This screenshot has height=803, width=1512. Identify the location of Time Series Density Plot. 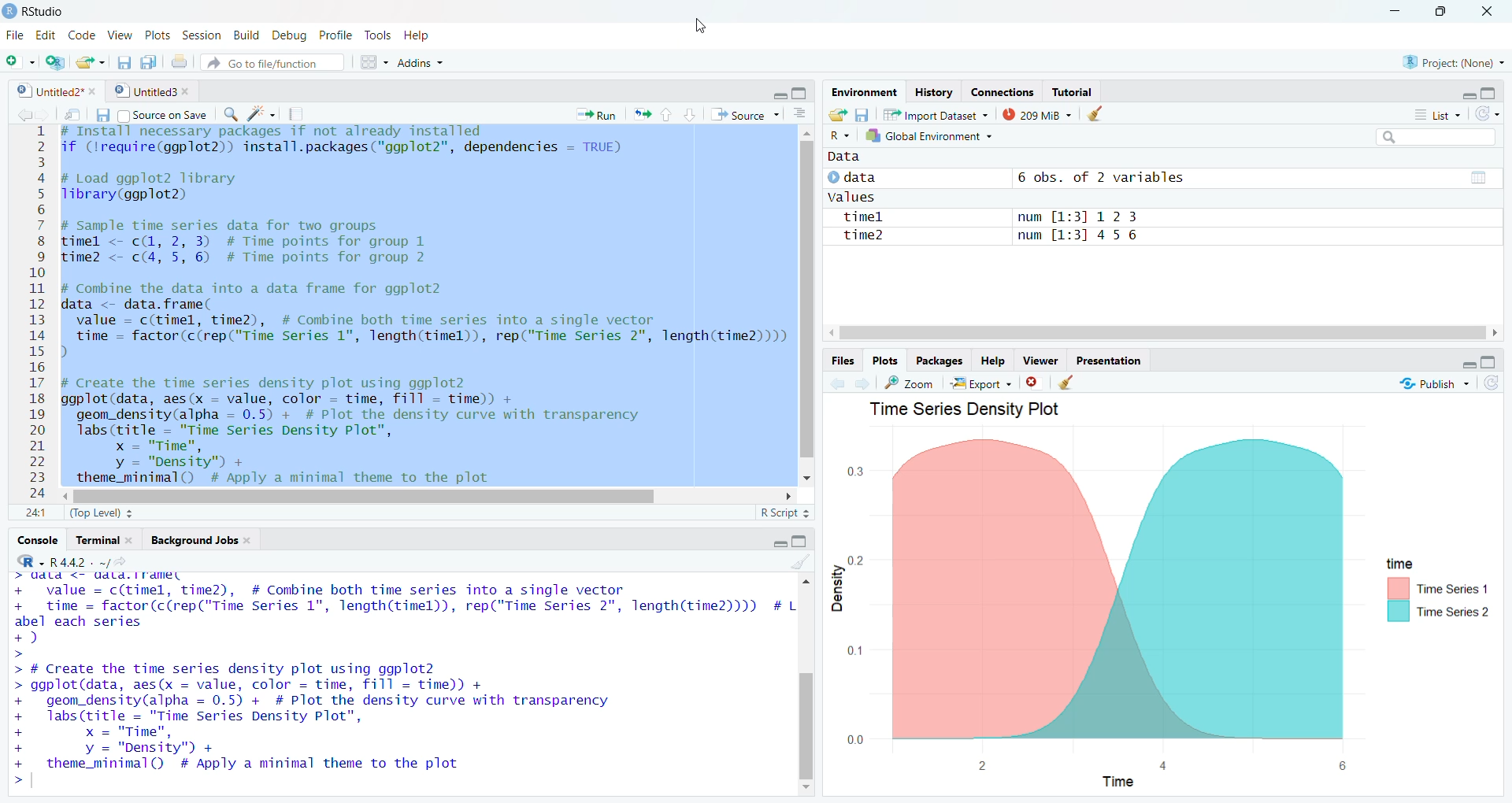
(972, 409).